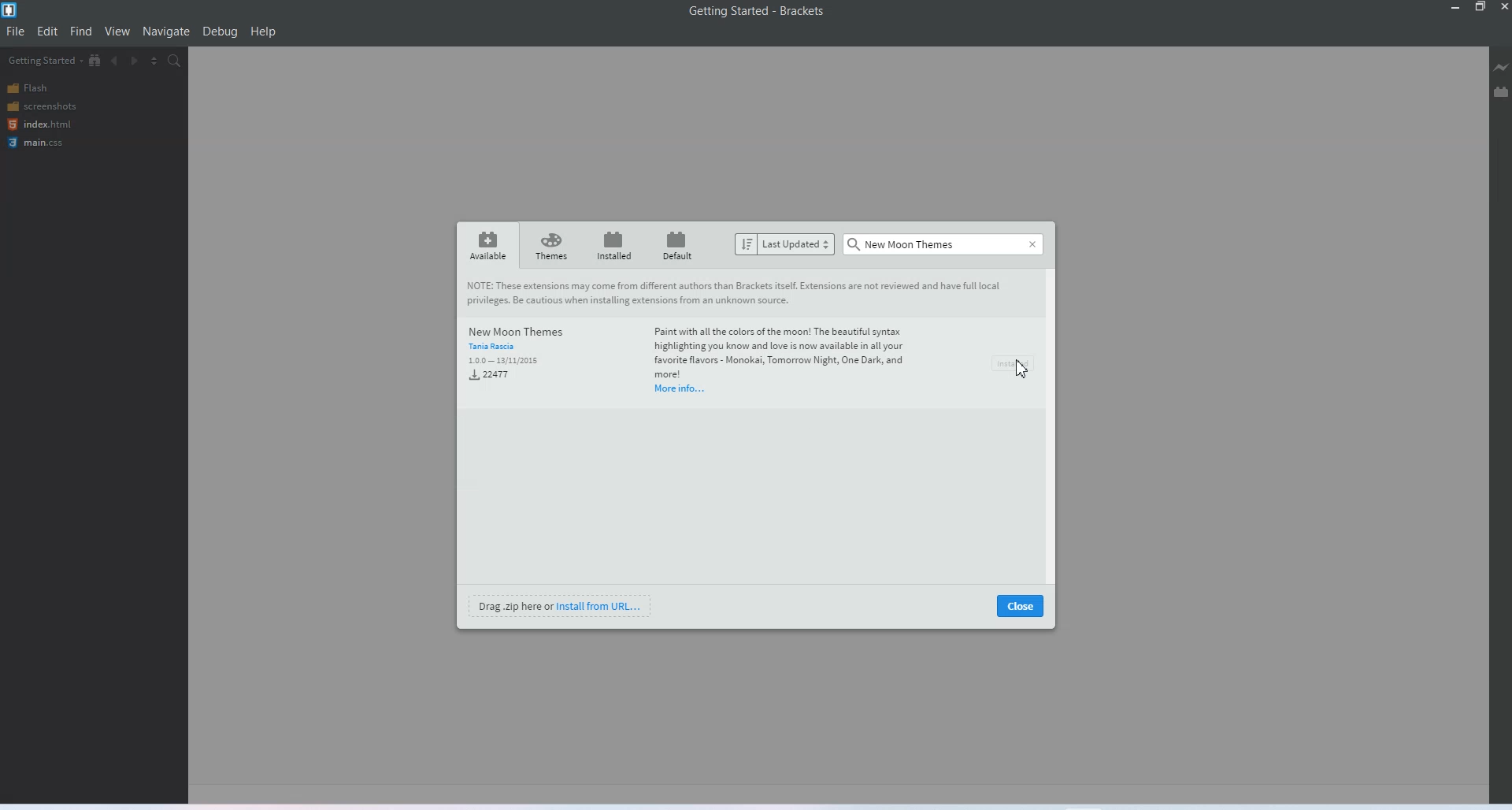  Describe the element at coordinates (761, 12) in the screenshot. I see `Getting Started - Brackets` at that location.